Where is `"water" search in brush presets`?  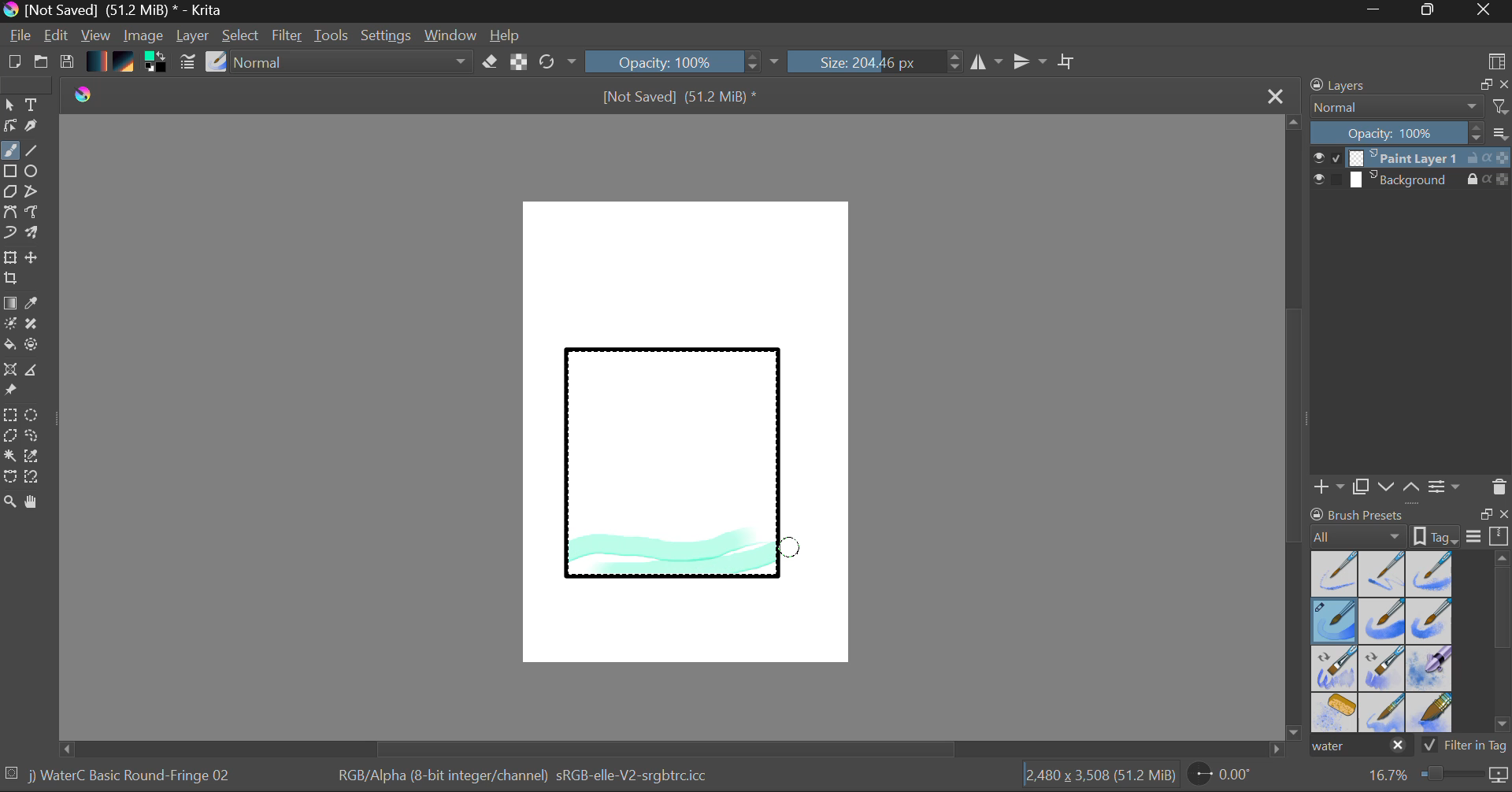 "water" search in brush presets is located at coordinates (1359, 749).